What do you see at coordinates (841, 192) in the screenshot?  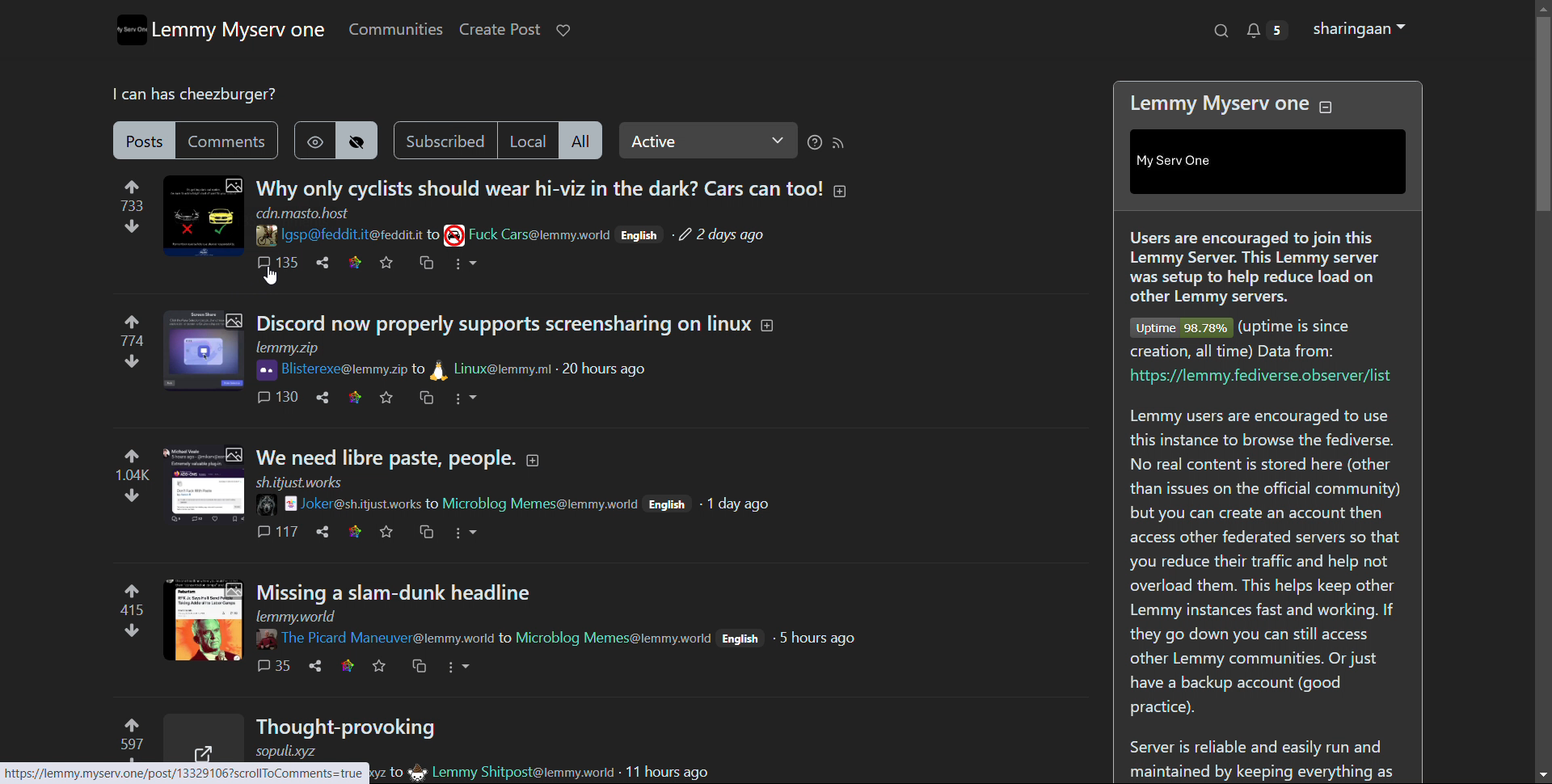 I see `expand` at bounding box center [841, 192].